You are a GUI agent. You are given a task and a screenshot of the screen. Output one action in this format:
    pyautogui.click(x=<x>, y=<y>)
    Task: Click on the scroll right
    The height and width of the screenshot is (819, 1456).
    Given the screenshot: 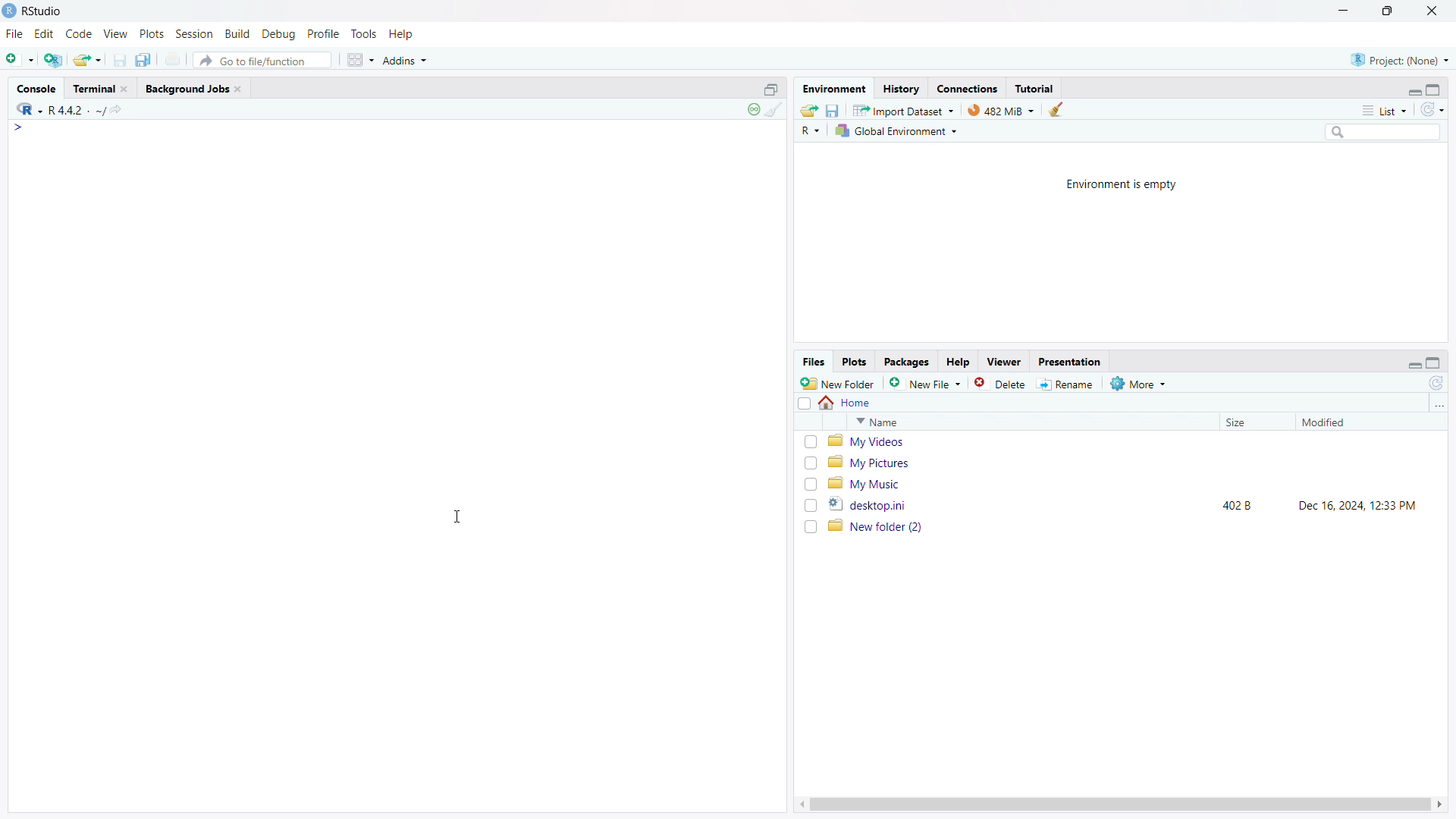 What is the action you would take?
    pyautogui.click(x=1441, y=805)
    